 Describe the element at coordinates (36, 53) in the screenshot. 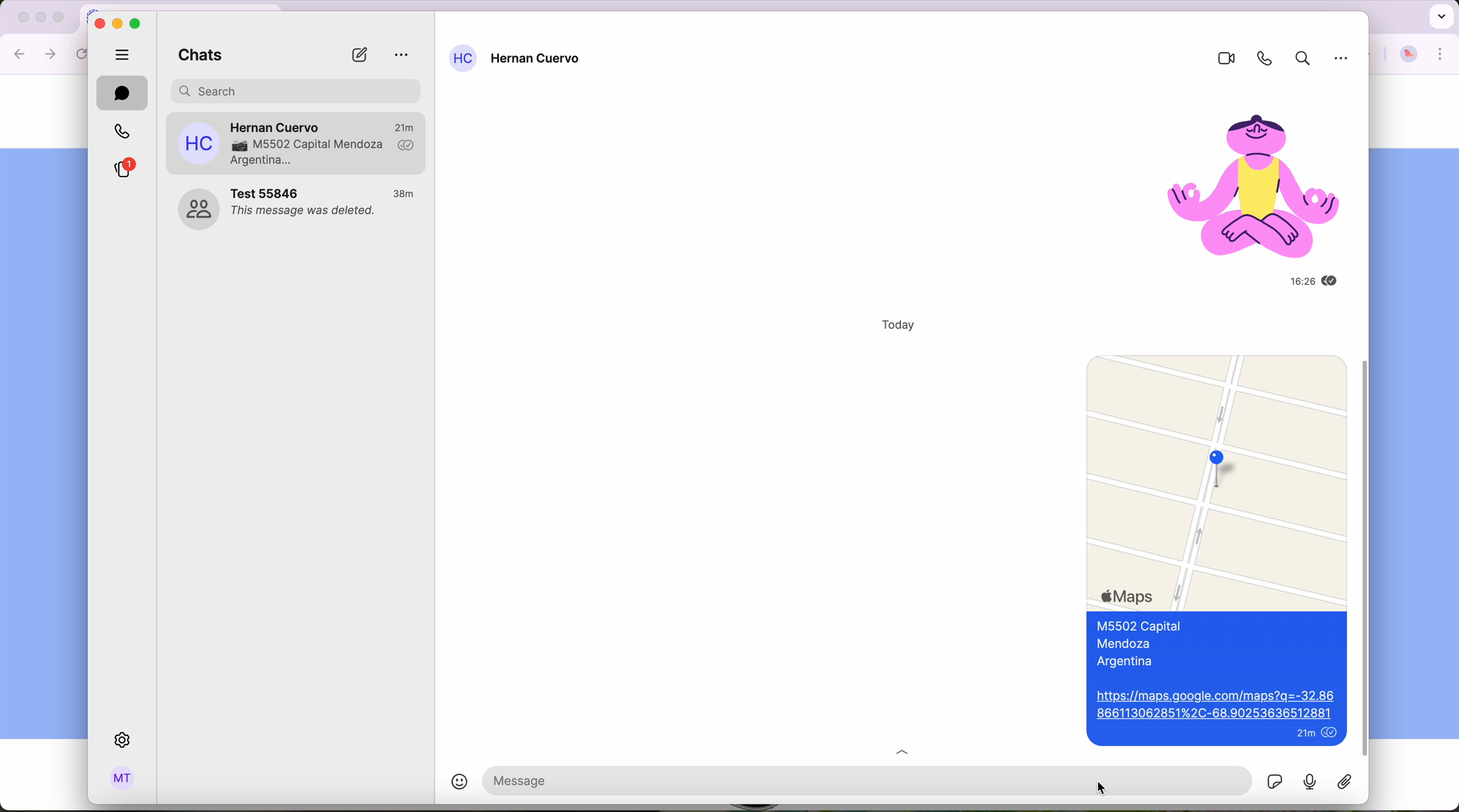

I see `navigate arrows` at that location.